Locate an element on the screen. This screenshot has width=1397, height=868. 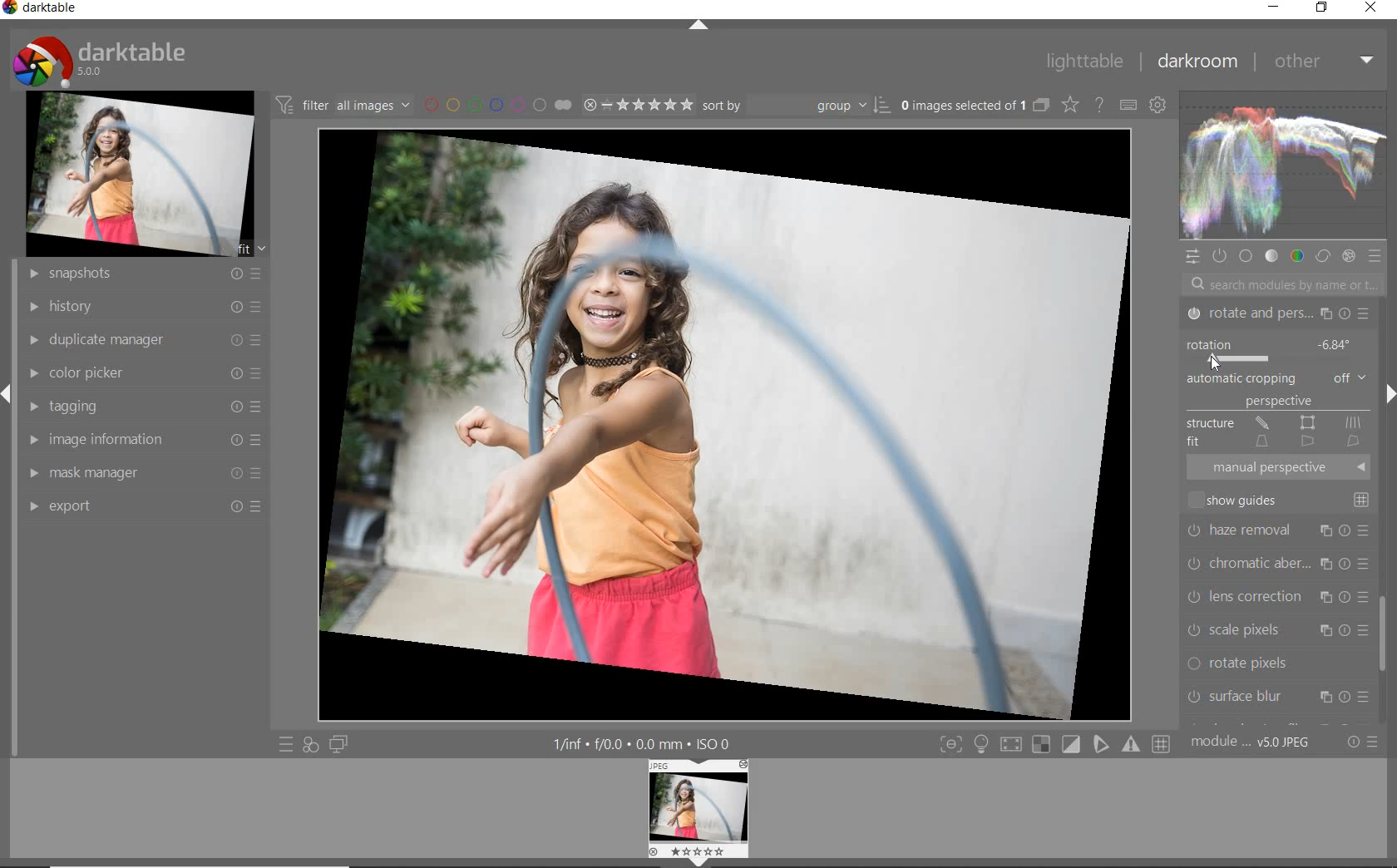
close is located at coordinates (1372, 7).